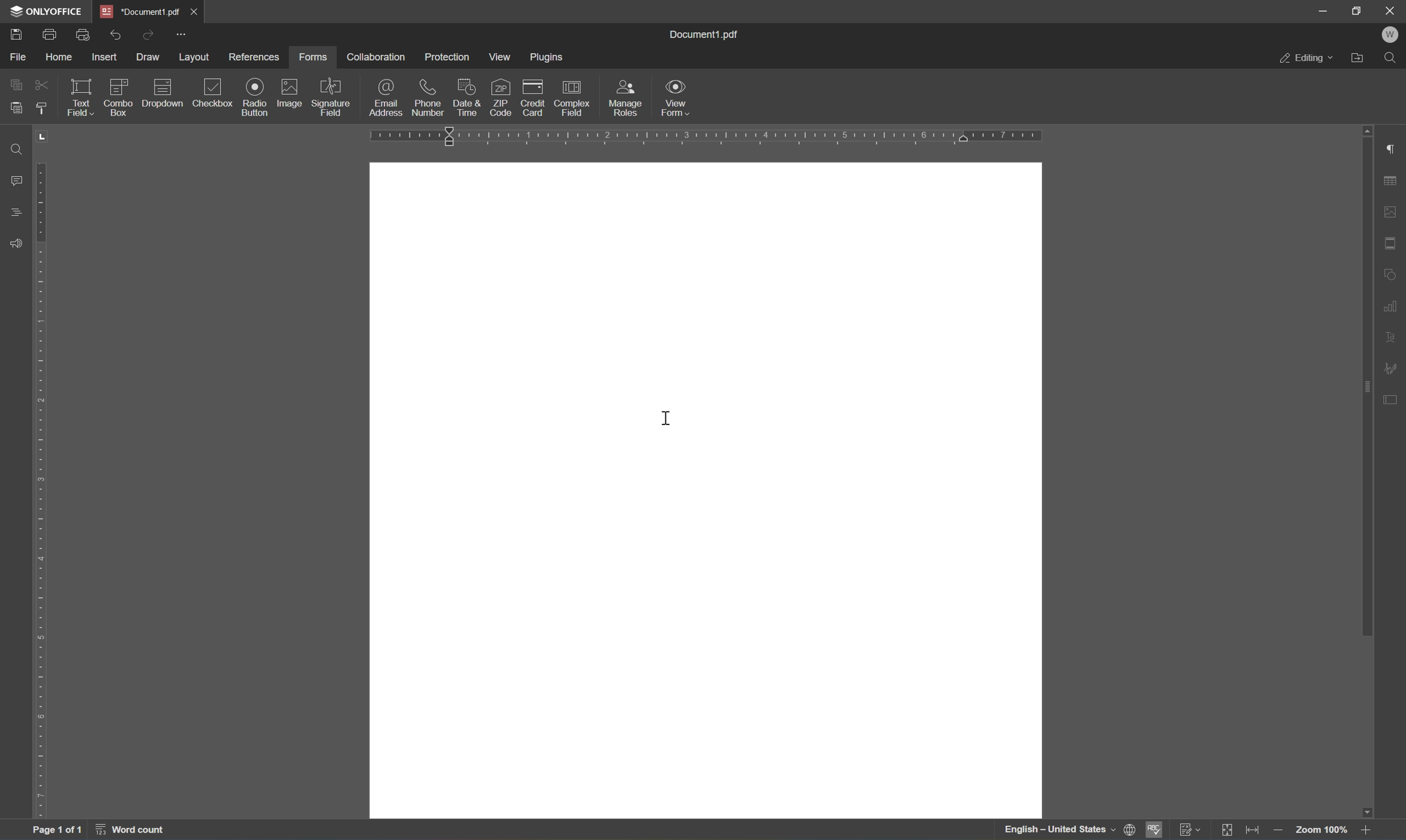 The image size is (1406, 840). What do you see at coordinates (1367, 387) in the screenshot?
I see `scroll bar` at bounding box center [1367, 387].